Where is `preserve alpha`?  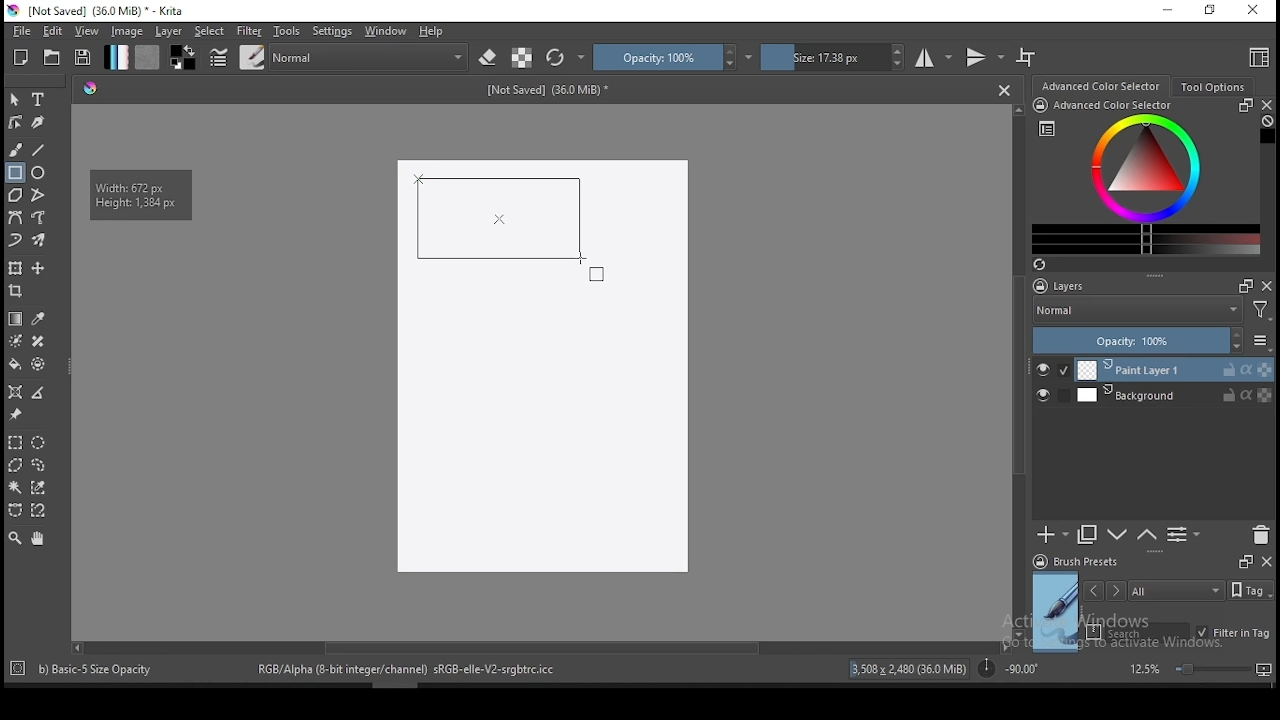 preserve alpha is located at coordinates (522, 59).